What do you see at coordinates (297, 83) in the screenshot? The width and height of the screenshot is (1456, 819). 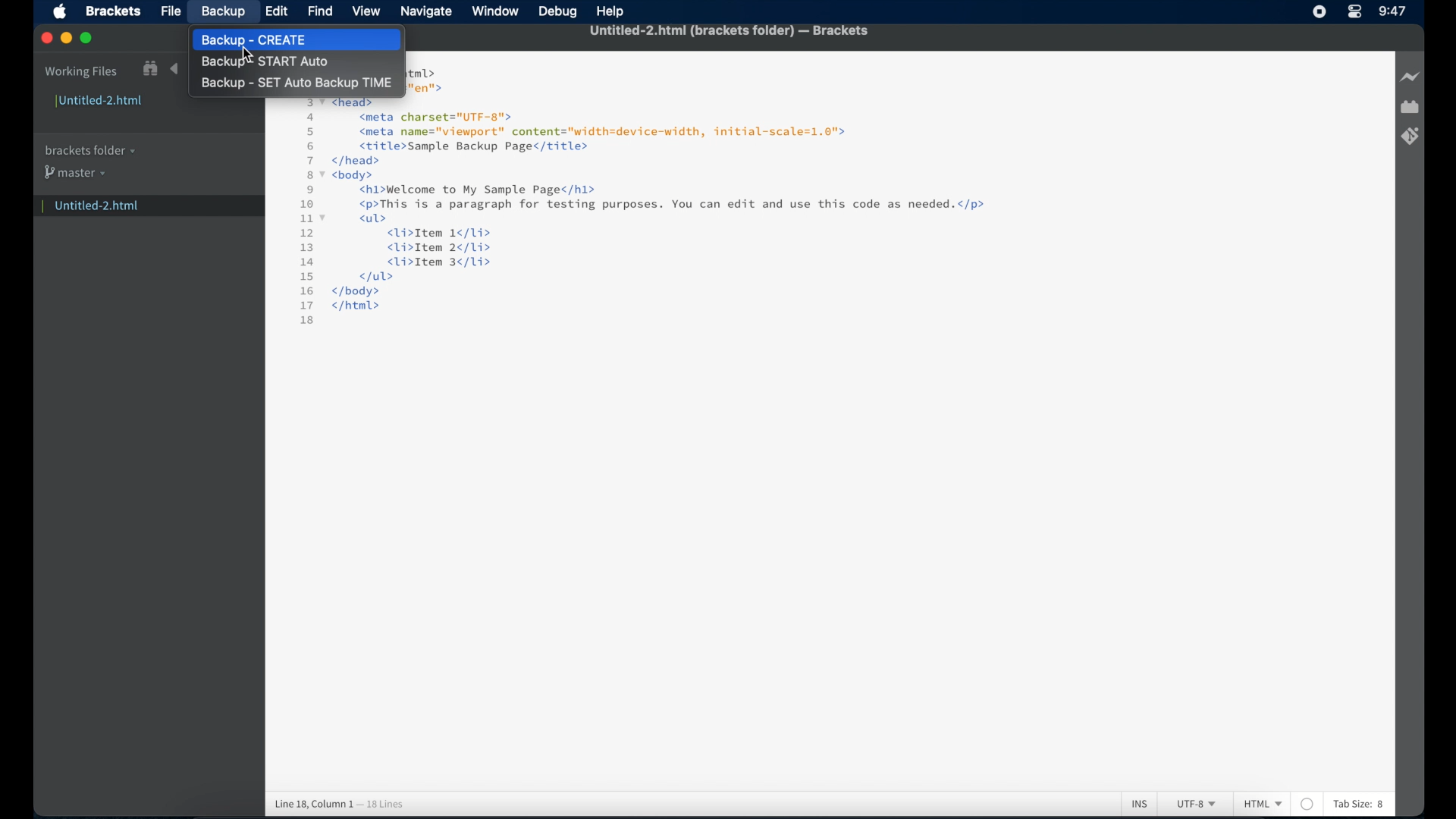 I see `backup - set auto backup time` at bounding box center [297, 83].